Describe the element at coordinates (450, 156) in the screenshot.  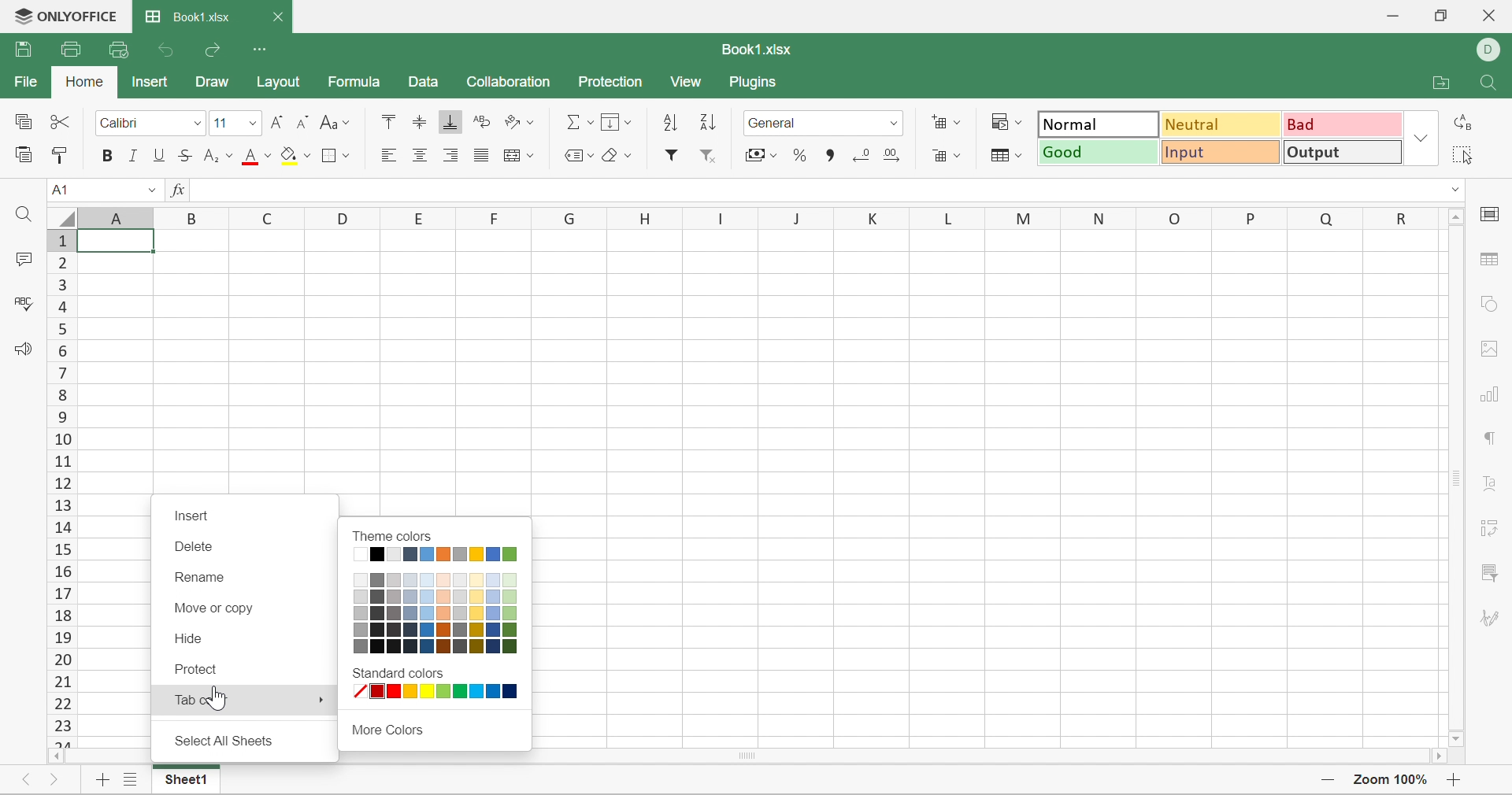
I see `Align Right` at that location.